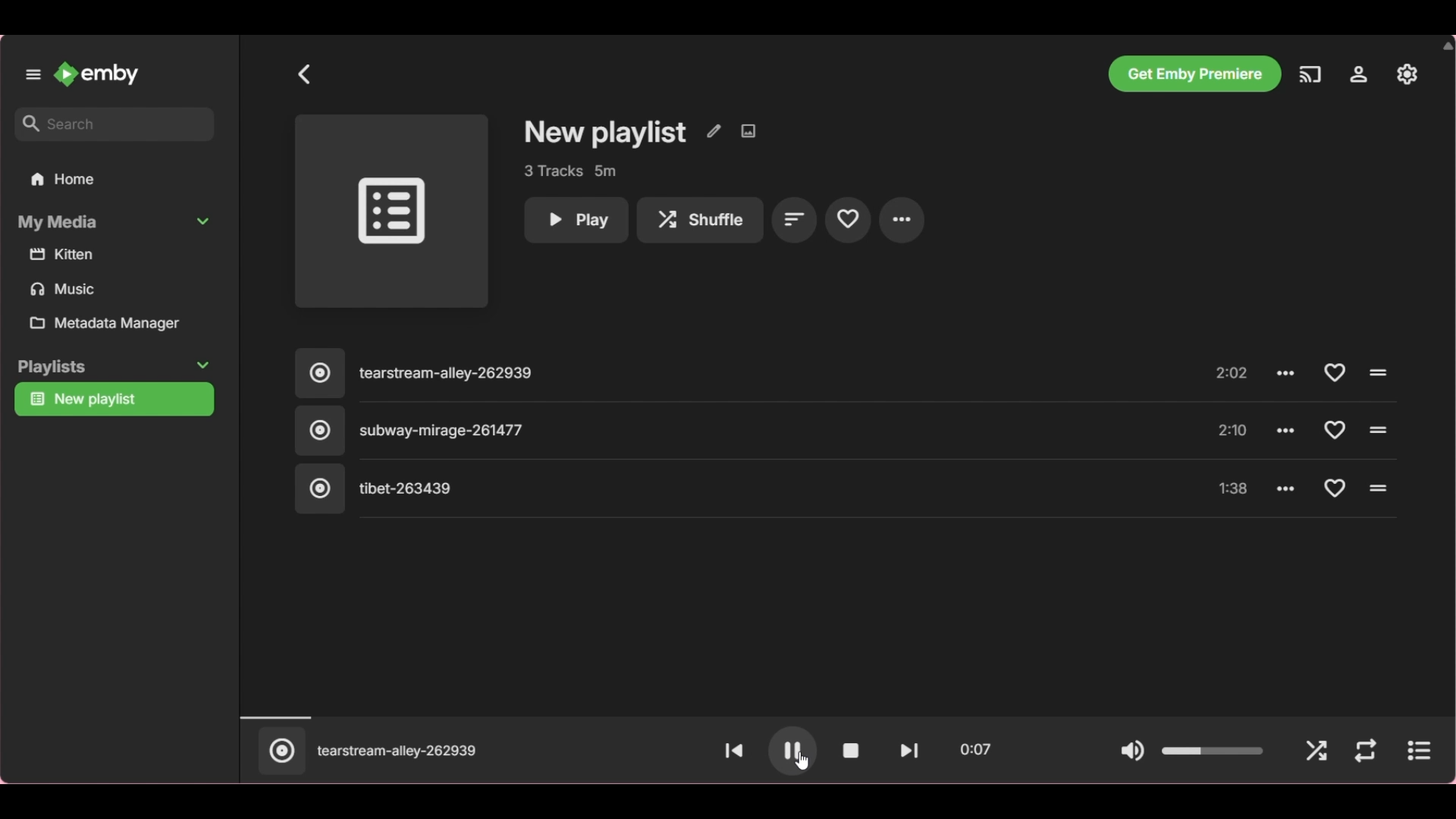 This screenshot has height=819, width=1456. What do you see at coordinates (1234, 375) in the screenshot?
I see `Music length of song` at bounding box center [1234, 375].